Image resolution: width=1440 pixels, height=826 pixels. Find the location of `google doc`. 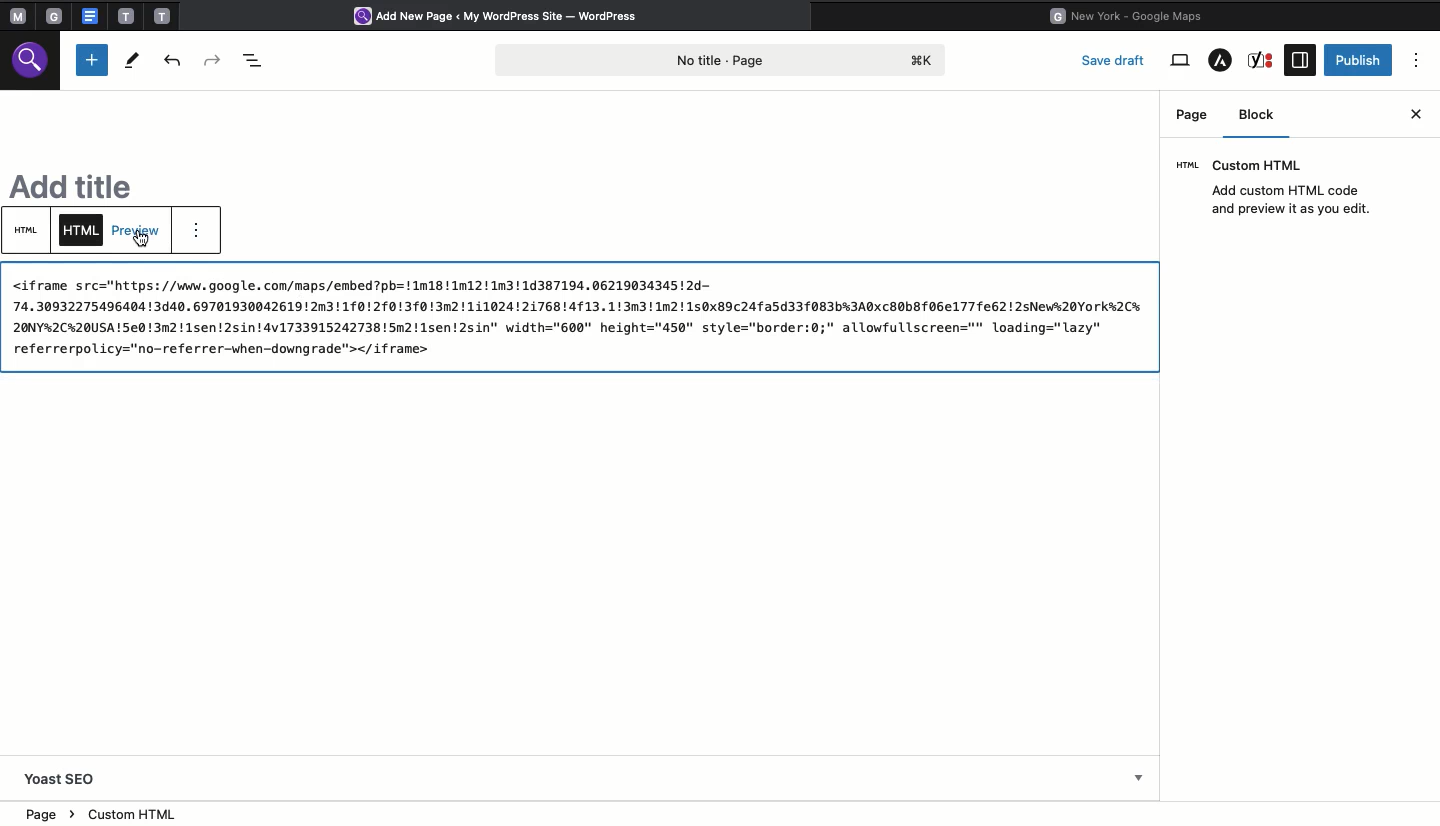

google doc is located at coordinates (89, 15).